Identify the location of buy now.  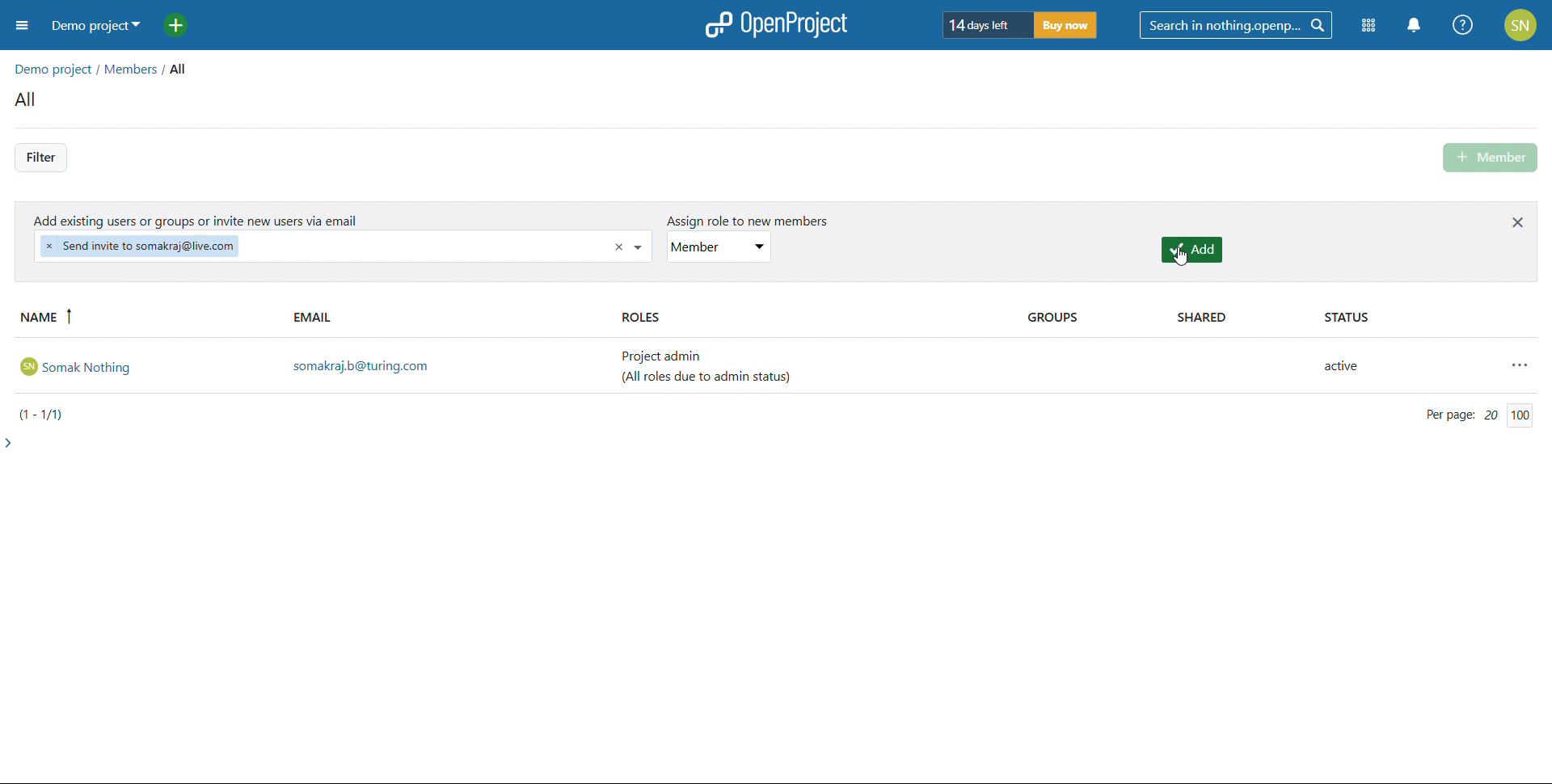
(1066, 24).